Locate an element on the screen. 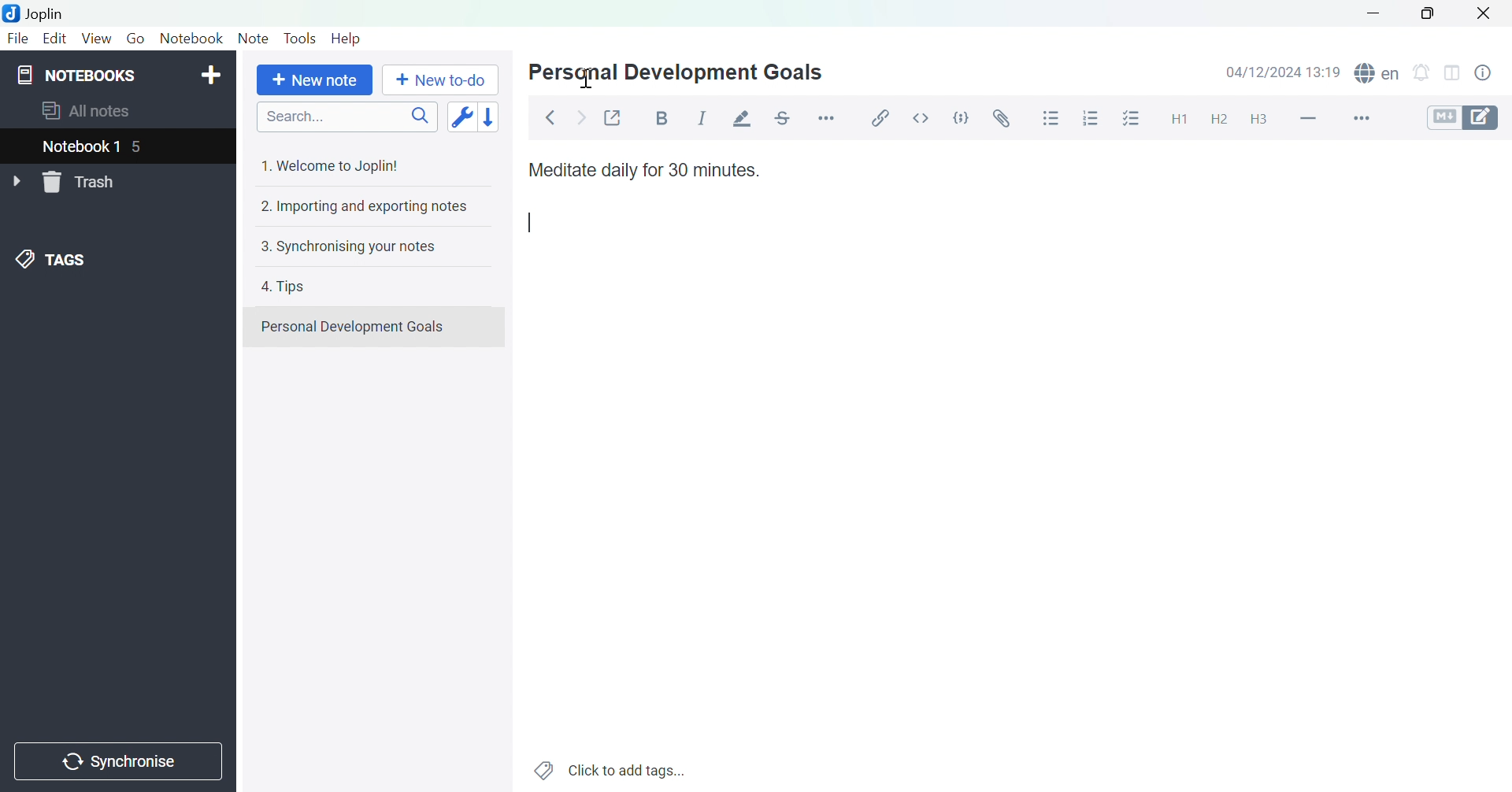 This screenshot has height=792, width=1512. Toggle editor layout is located at coordinates (1452, 76).